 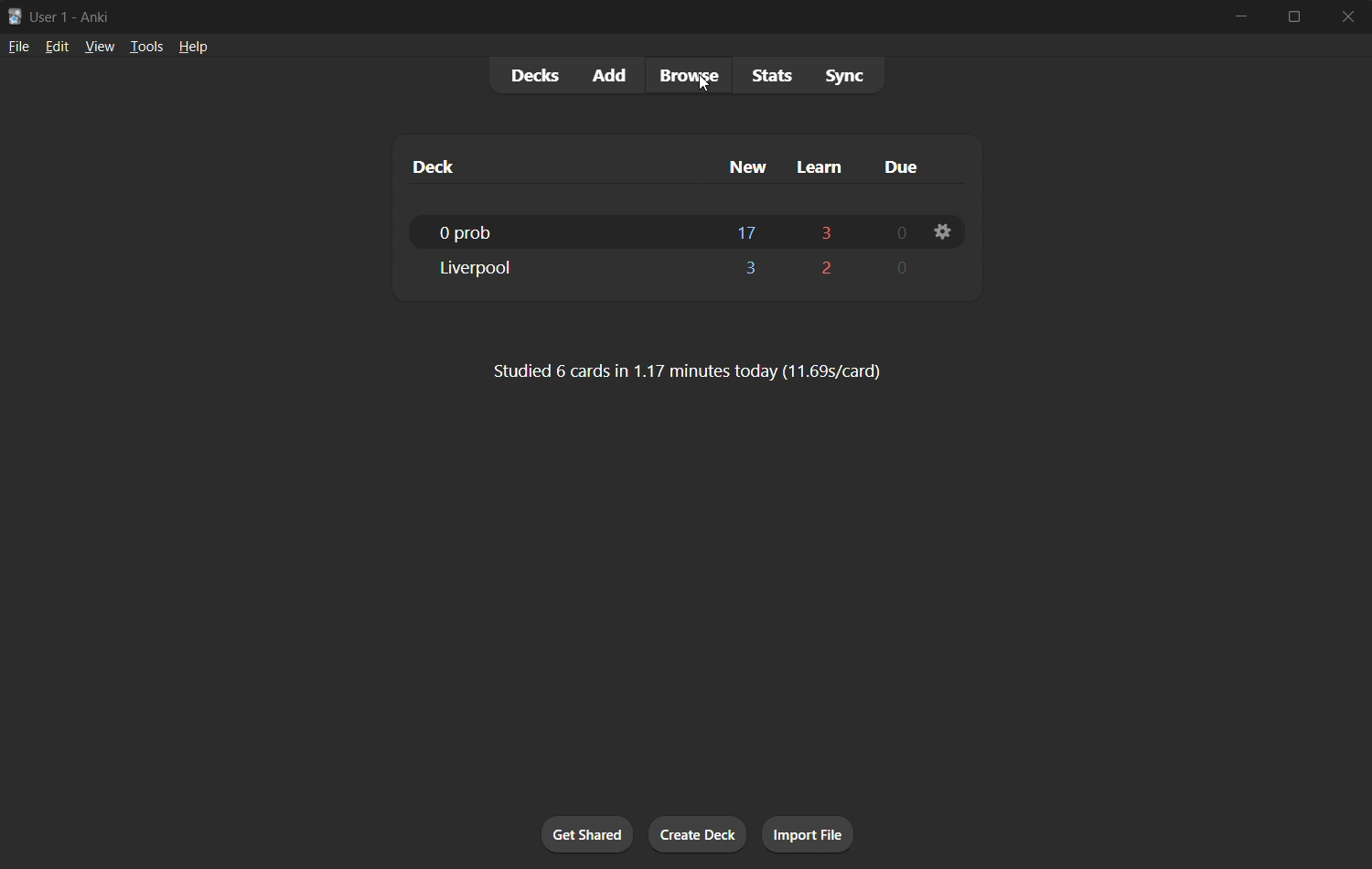 What do you see at coordinates (746, 231) in the screenshot?
I see `17` at bounding box center [746, 231].